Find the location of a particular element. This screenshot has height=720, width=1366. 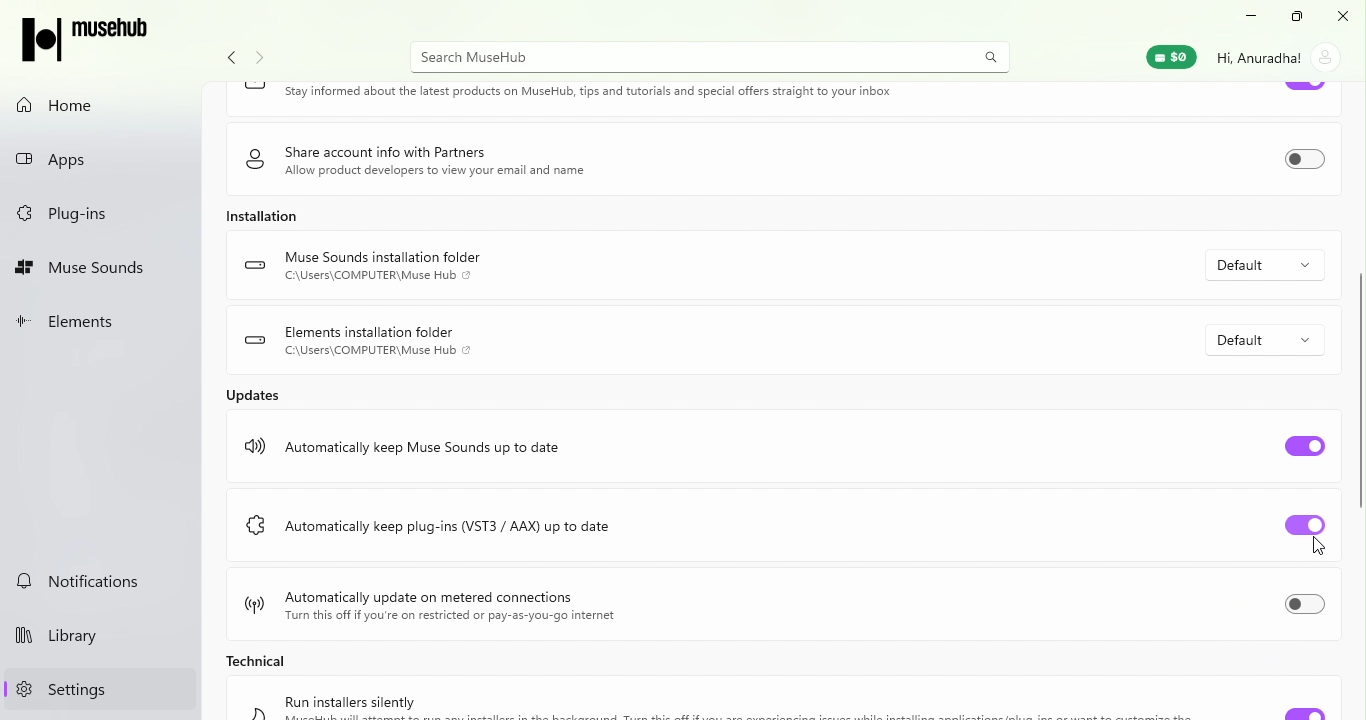

Default is located at coordinates (1265, 265).